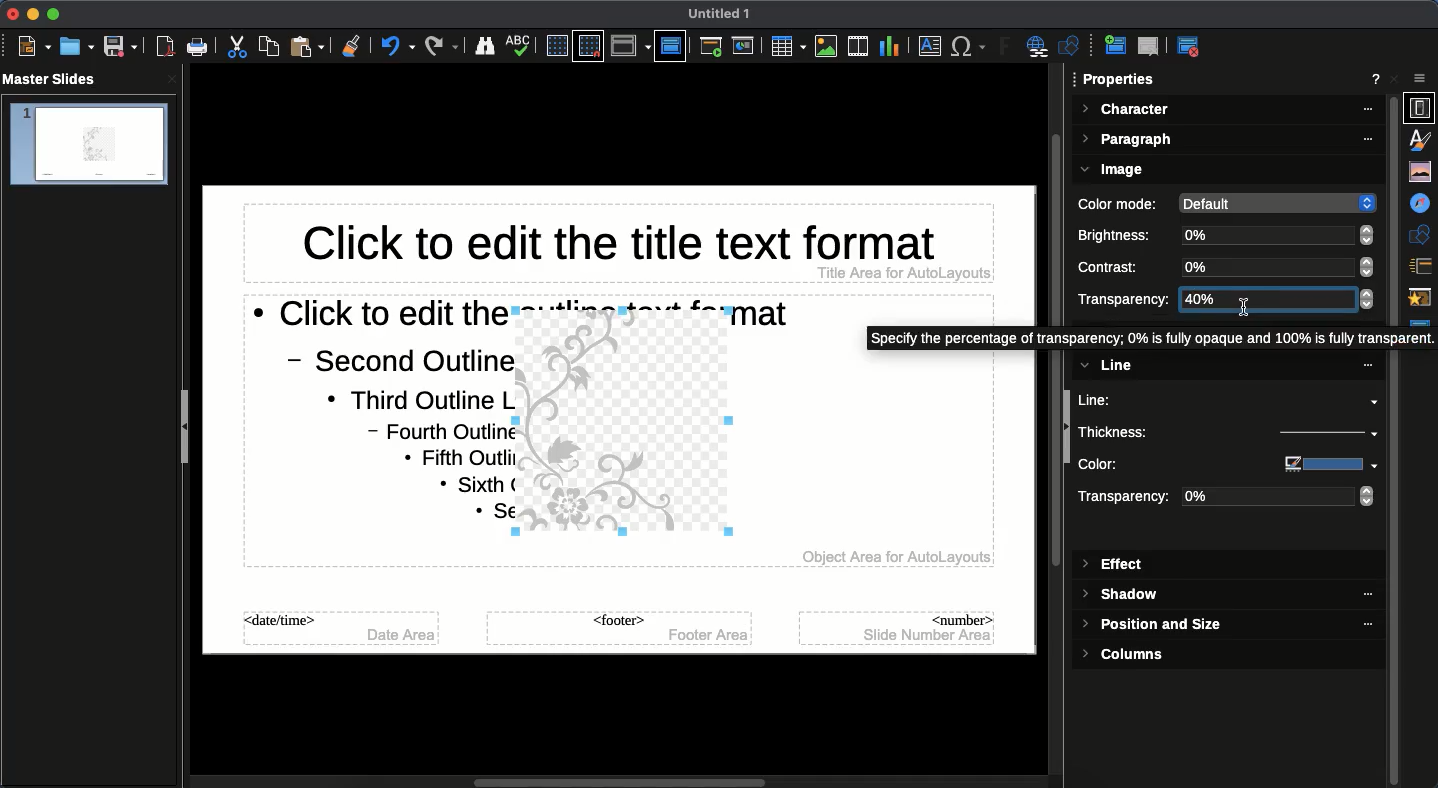 This screenshot has height=788, width=1438. What do you see at coordinates (1040, 48) in the screenshot?
I see `Hyperlink` at bounding box center [1040, 48].